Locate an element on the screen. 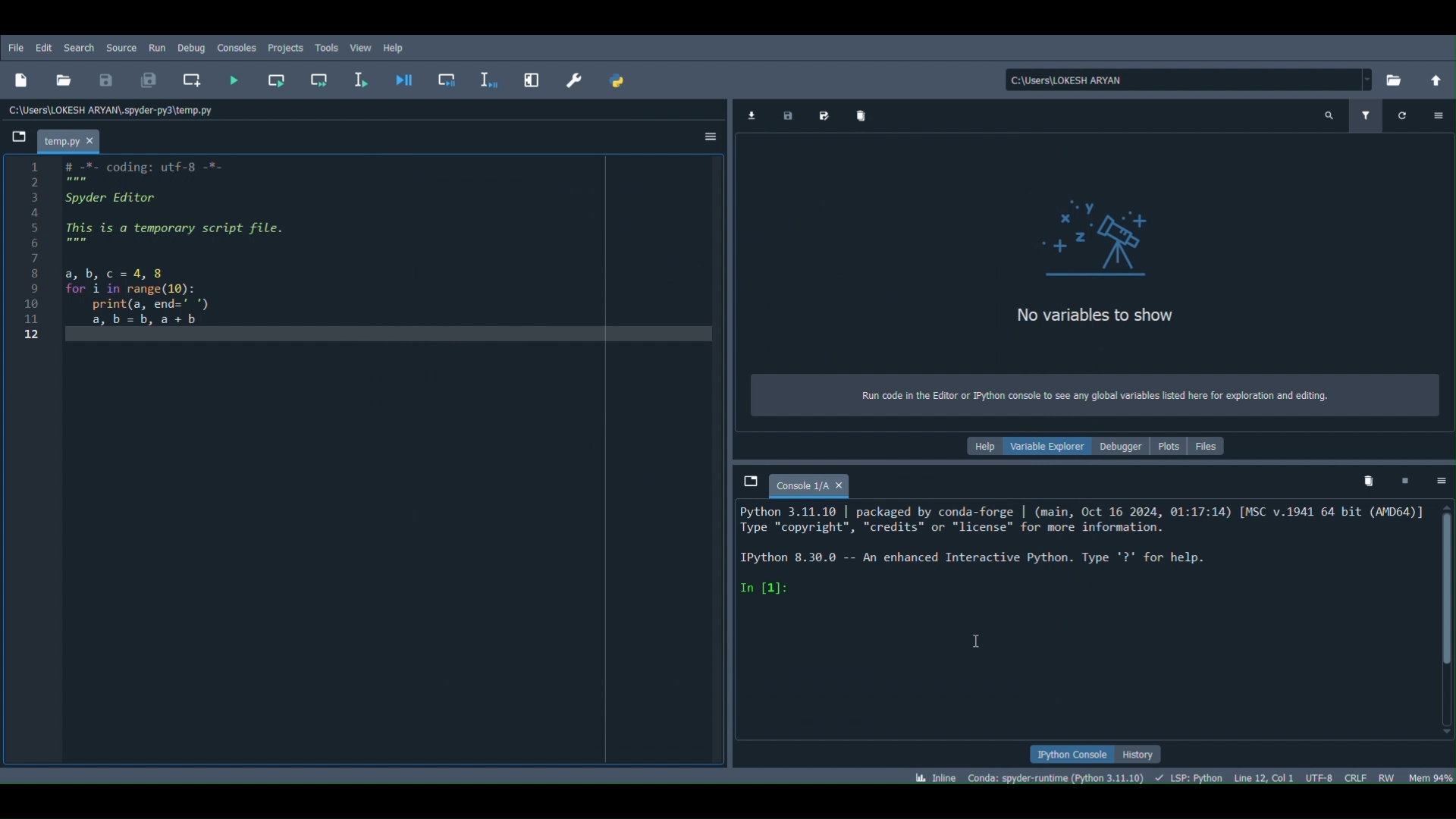  Version is located at coordinates (1059, 779).